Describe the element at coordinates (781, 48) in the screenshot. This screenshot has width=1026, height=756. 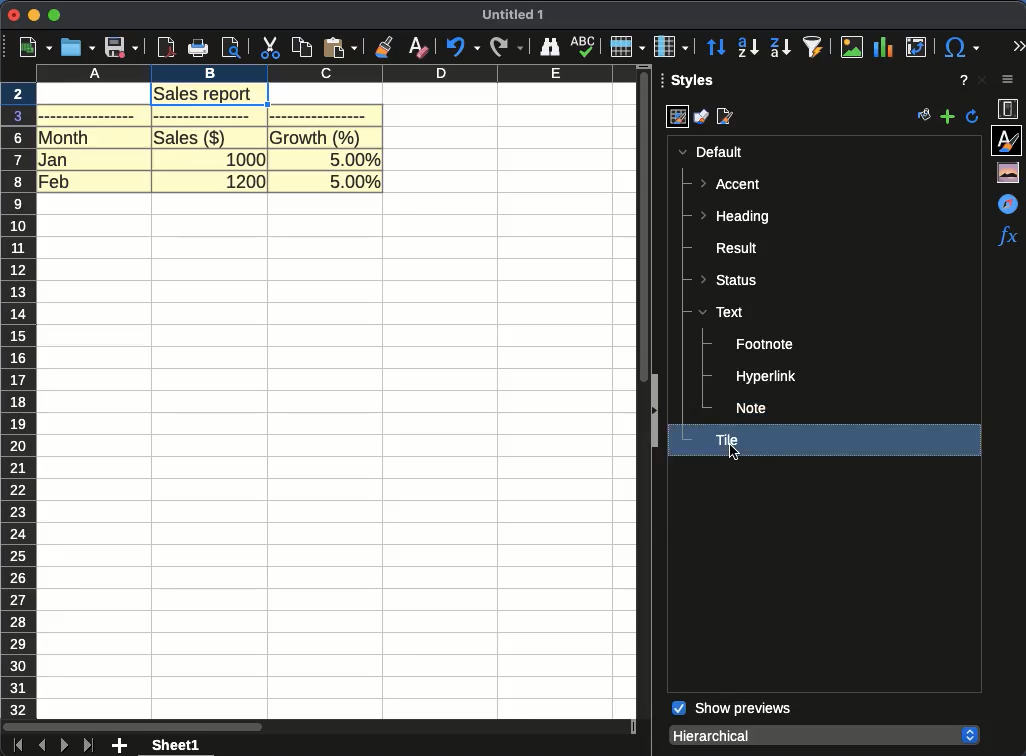
I see `descending ` at that location.